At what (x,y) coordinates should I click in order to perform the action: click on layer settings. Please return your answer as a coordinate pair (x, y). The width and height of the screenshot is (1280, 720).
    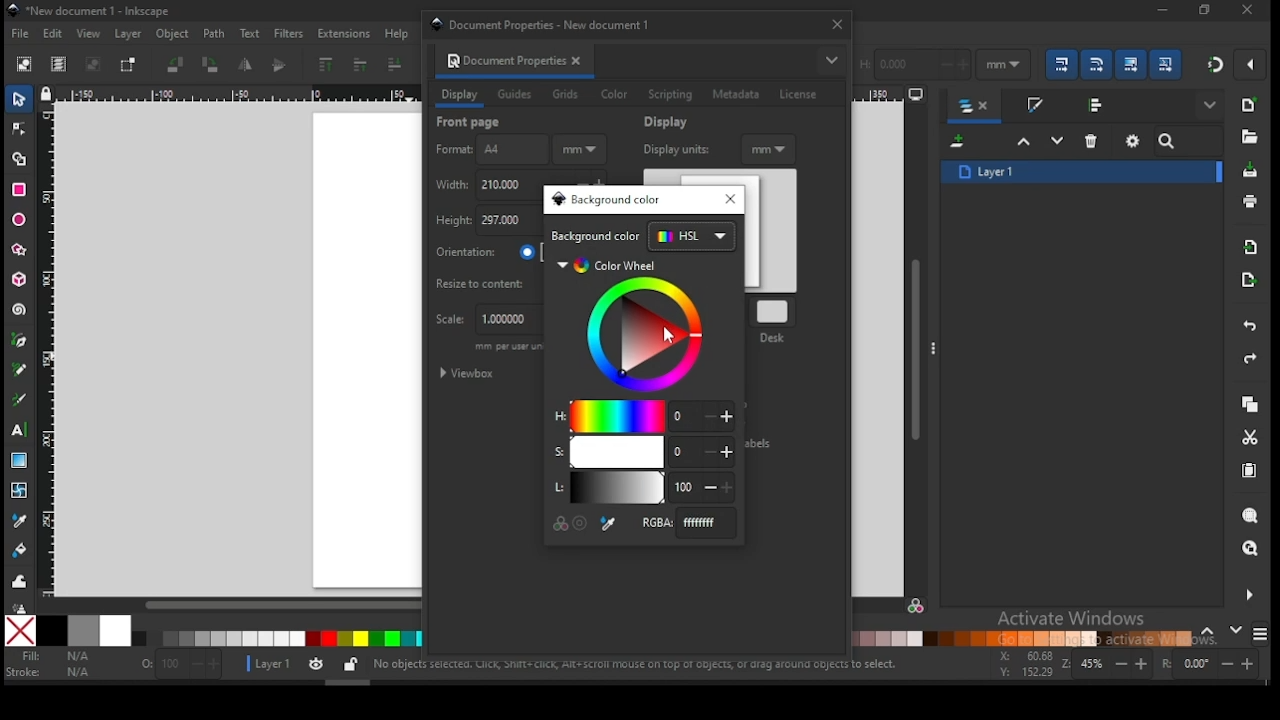
    Looking at the image, I should click on (304, 665).